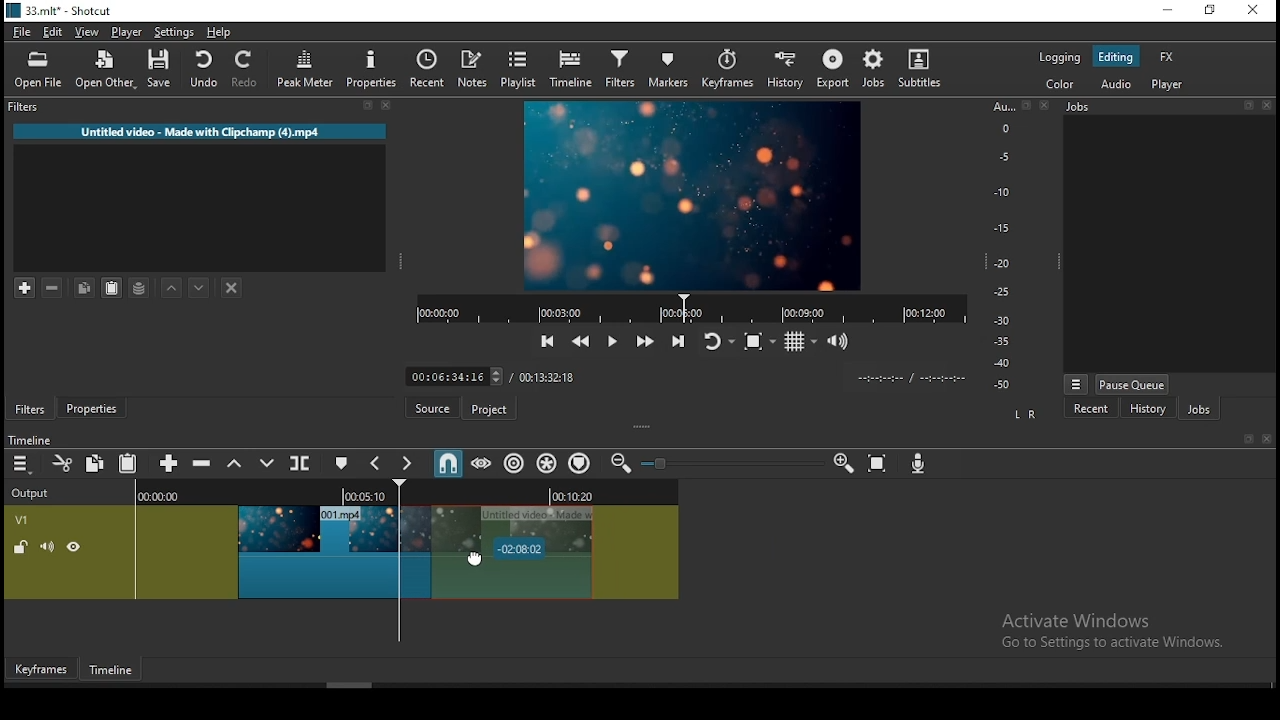  Describe the element at coordinates (21, 107) in the screenshot. I see `filters` at that location.